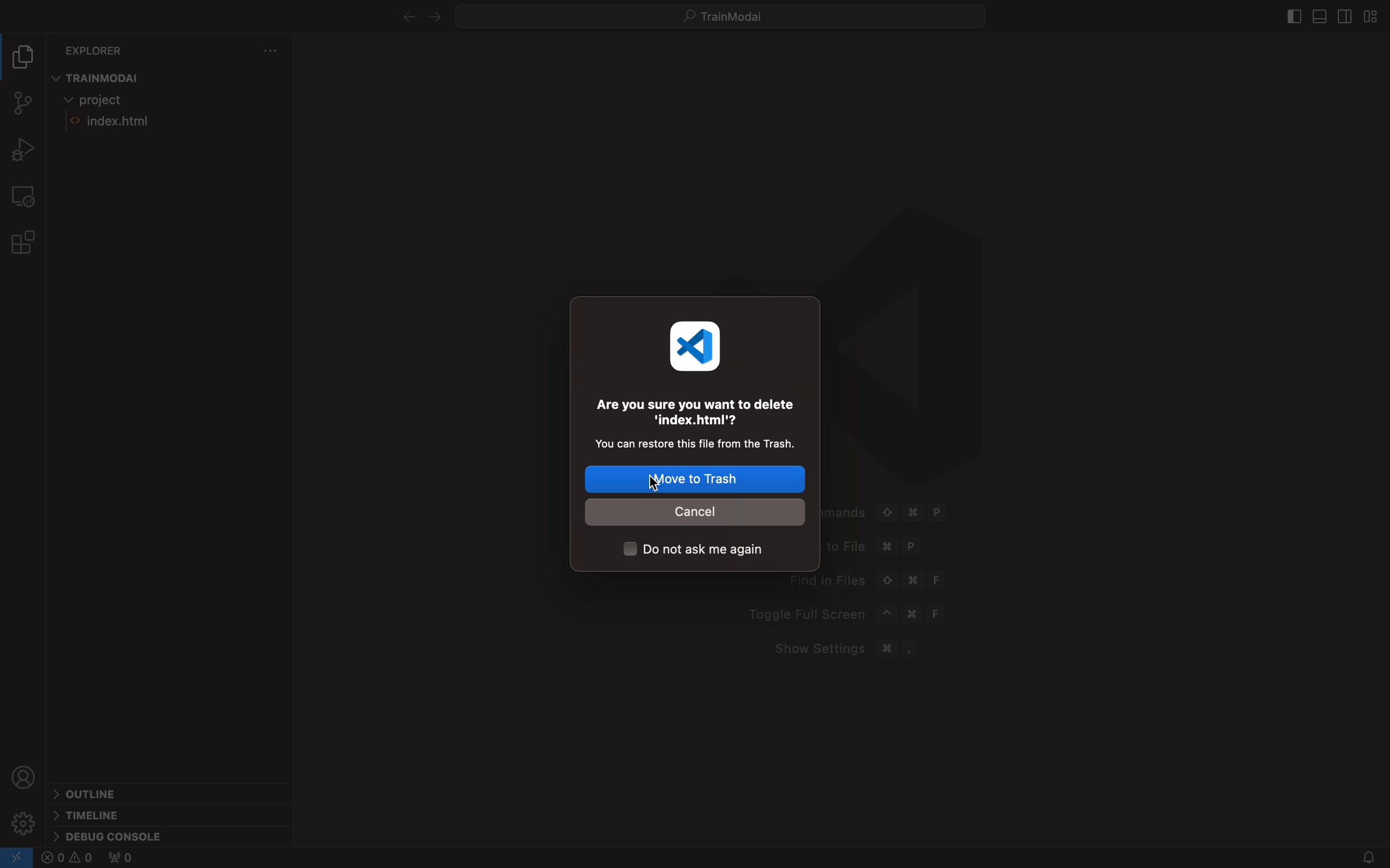  I want to click on error logs, so click(17, 858).